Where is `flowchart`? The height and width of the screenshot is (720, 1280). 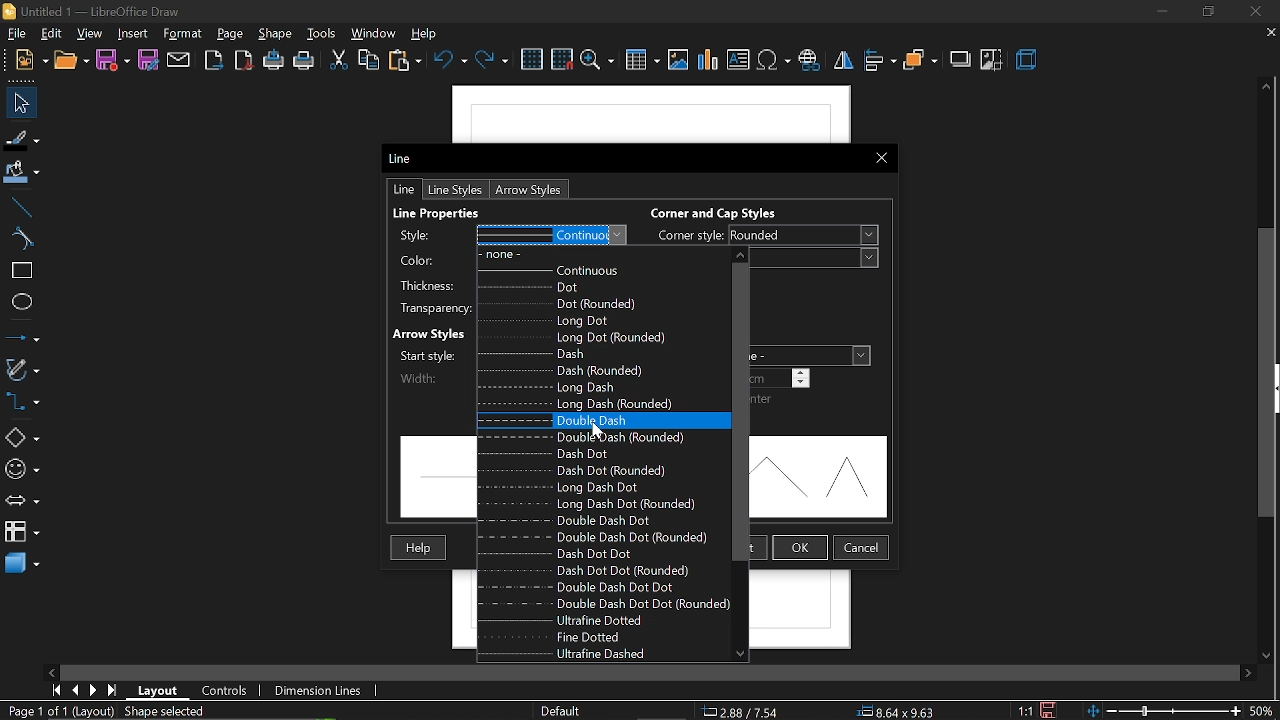
flowchart is located at coordinates (20, 530).